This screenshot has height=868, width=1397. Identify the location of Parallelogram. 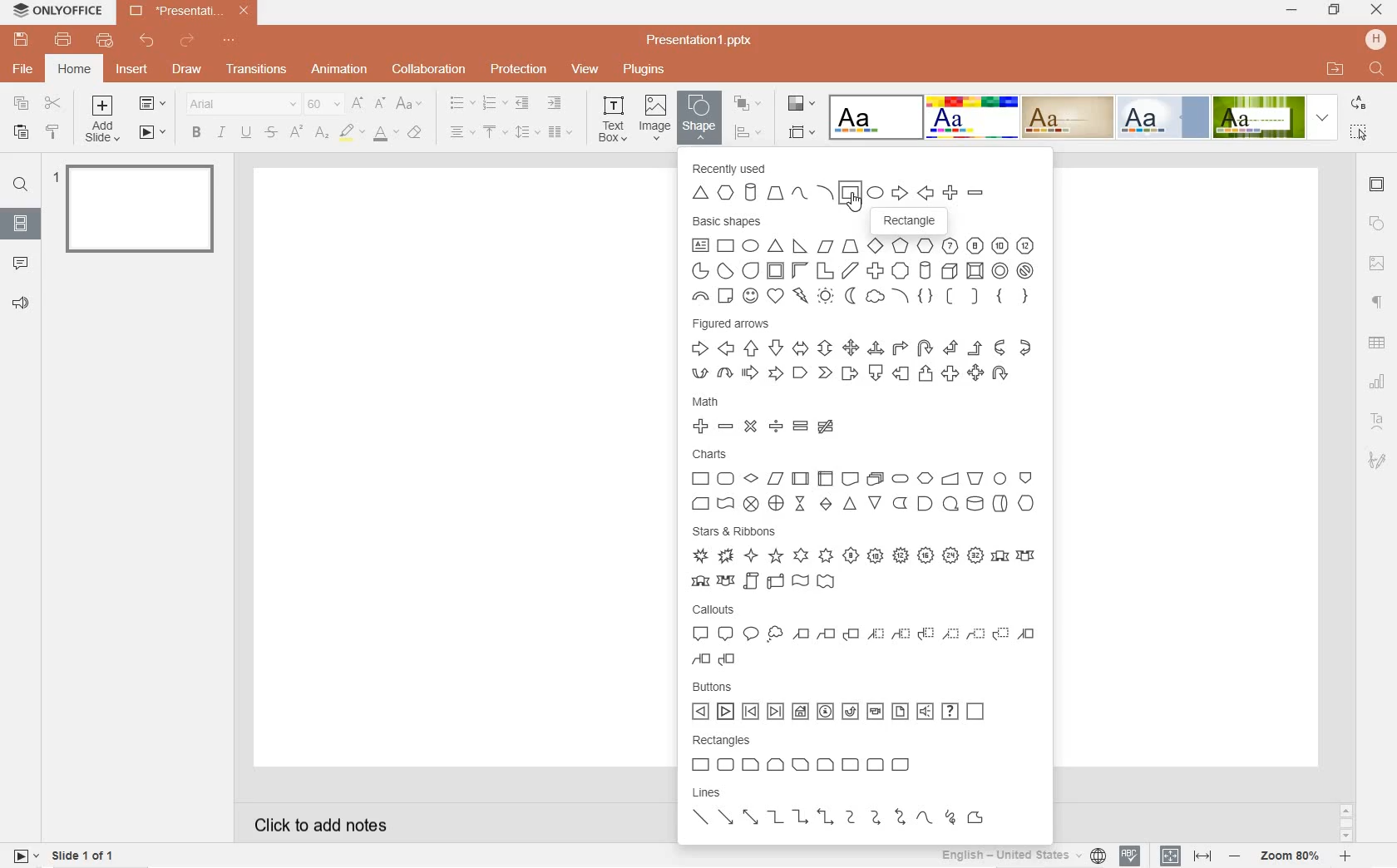
(826, 247).